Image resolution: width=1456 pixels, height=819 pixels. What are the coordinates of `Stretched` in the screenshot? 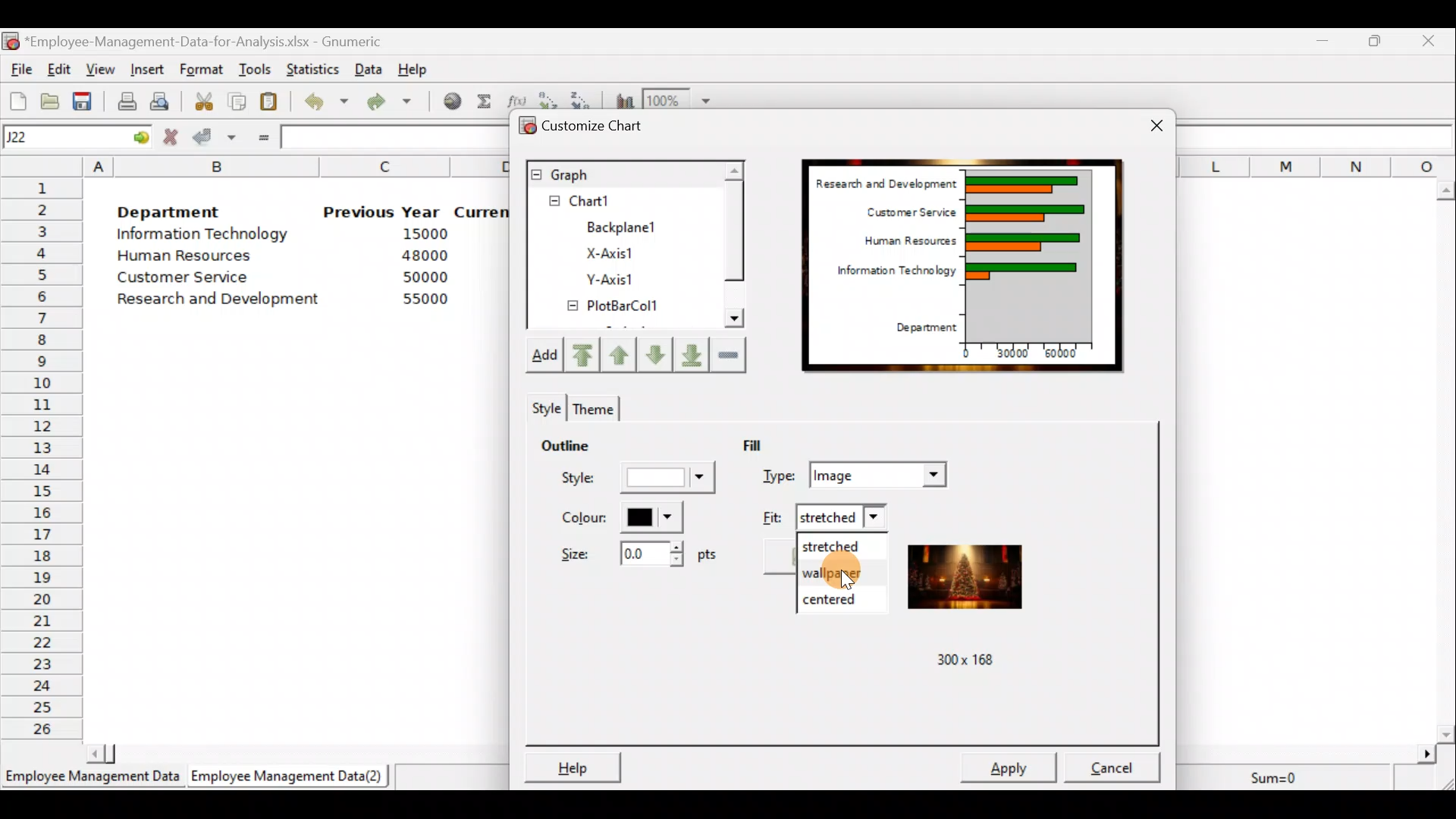 It's located at (839, 545).